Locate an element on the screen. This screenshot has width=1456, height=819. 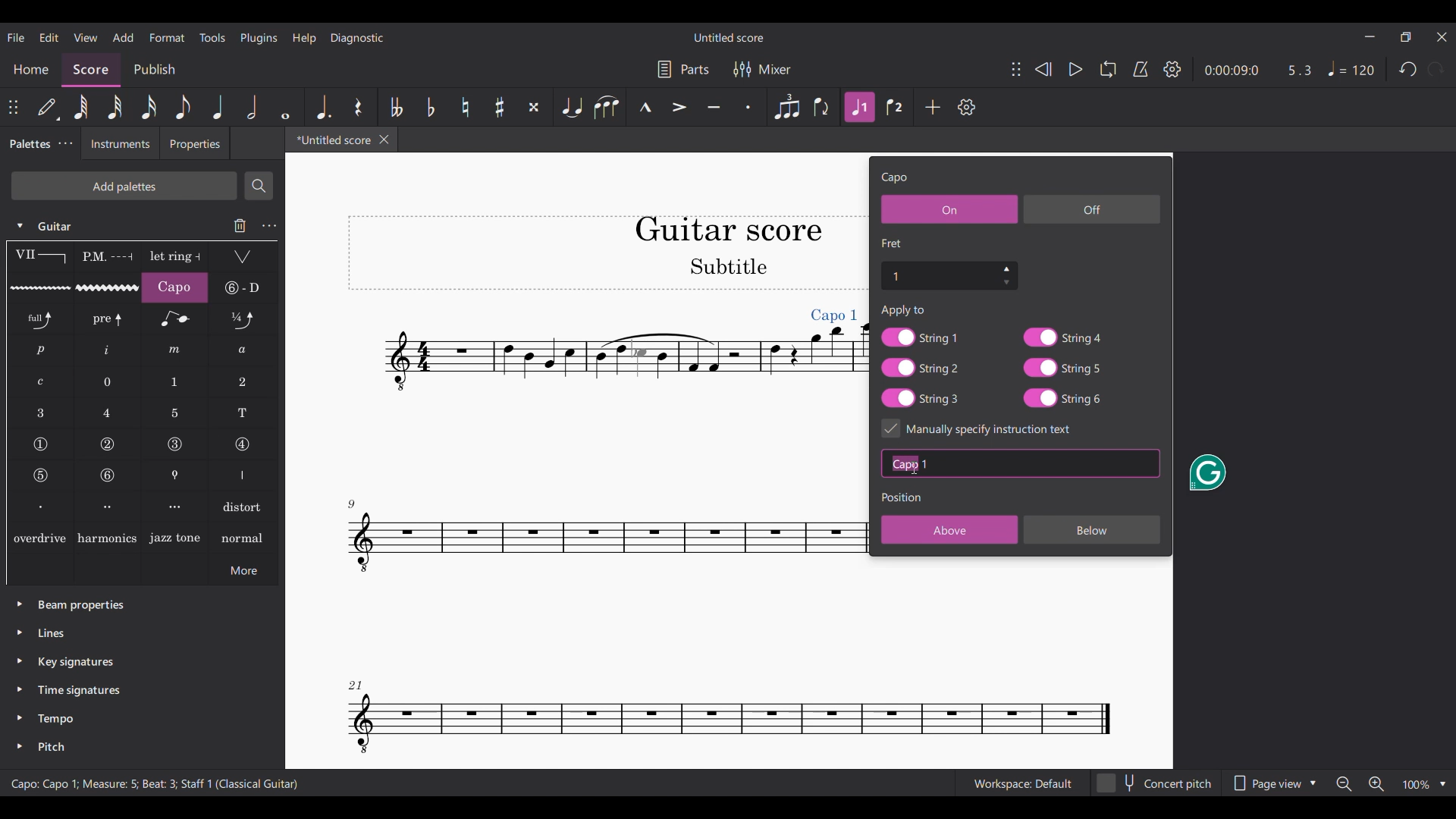
String tunings is located at coordinates (243, 287).